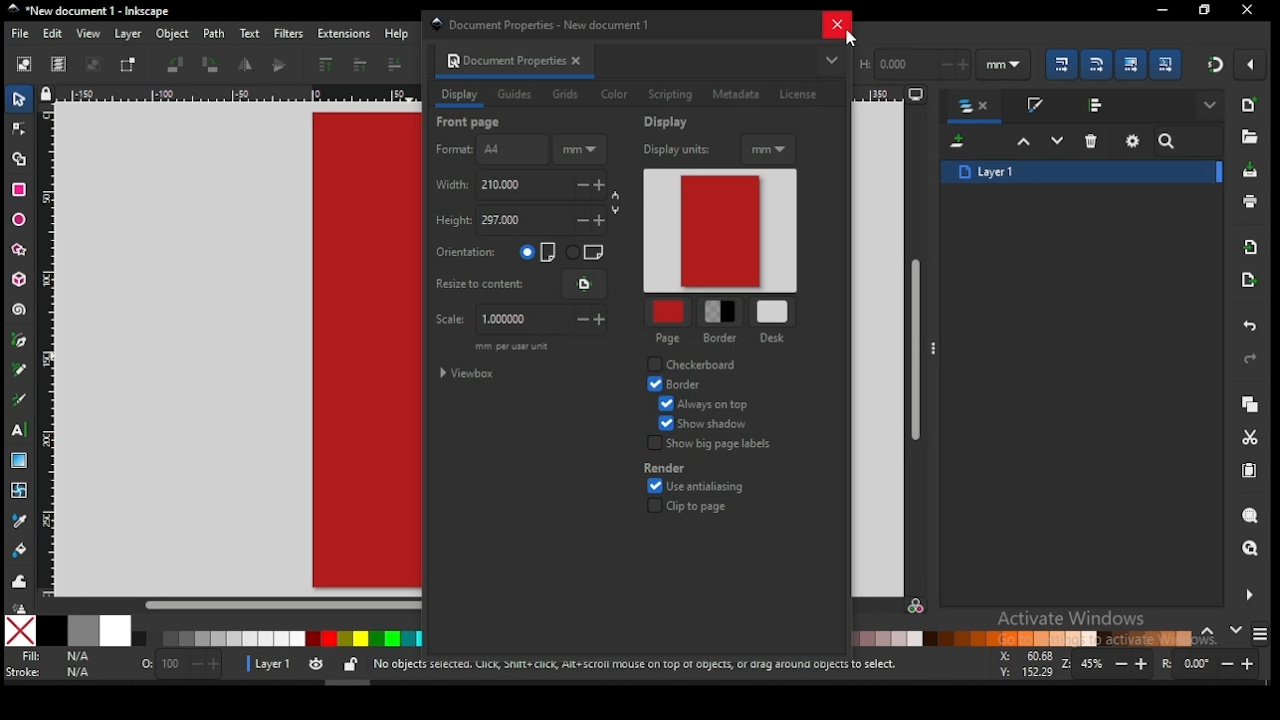 This screenshot has height=720, width=1280. What do you see at coordinates (1069, 620) in the screenshot?
I see `activate windows` at bounding box center [1069, 620].